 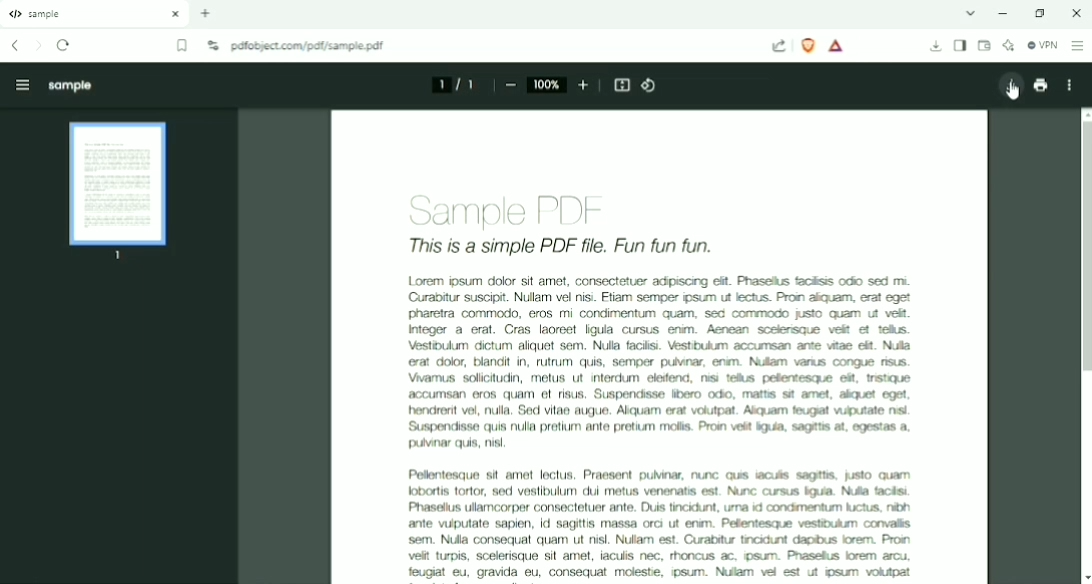 I want to click on Zoom Percentage, so click(x=547, y=84).